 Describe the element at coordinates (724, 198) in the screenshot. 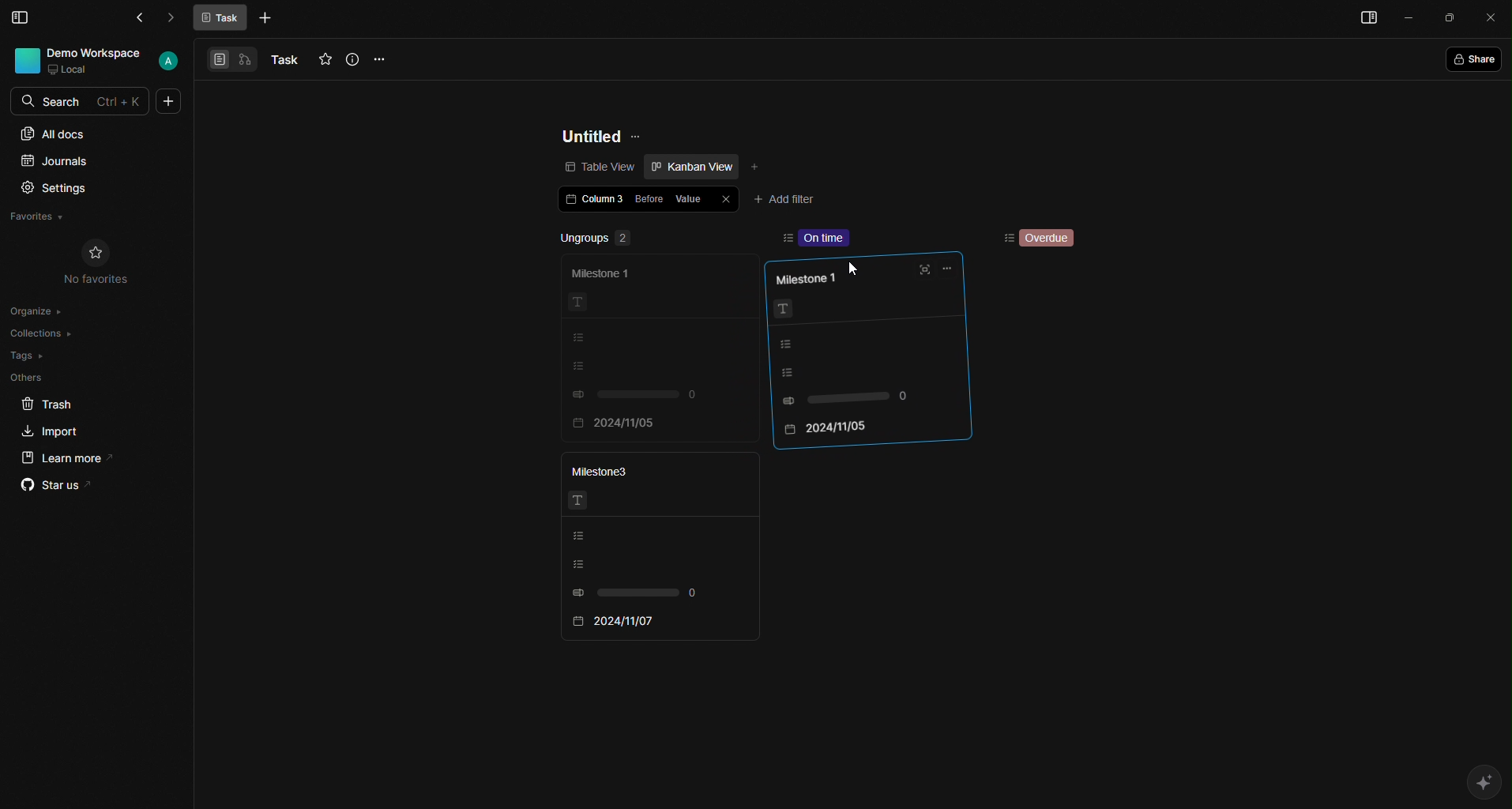

I see `Close` at that location.